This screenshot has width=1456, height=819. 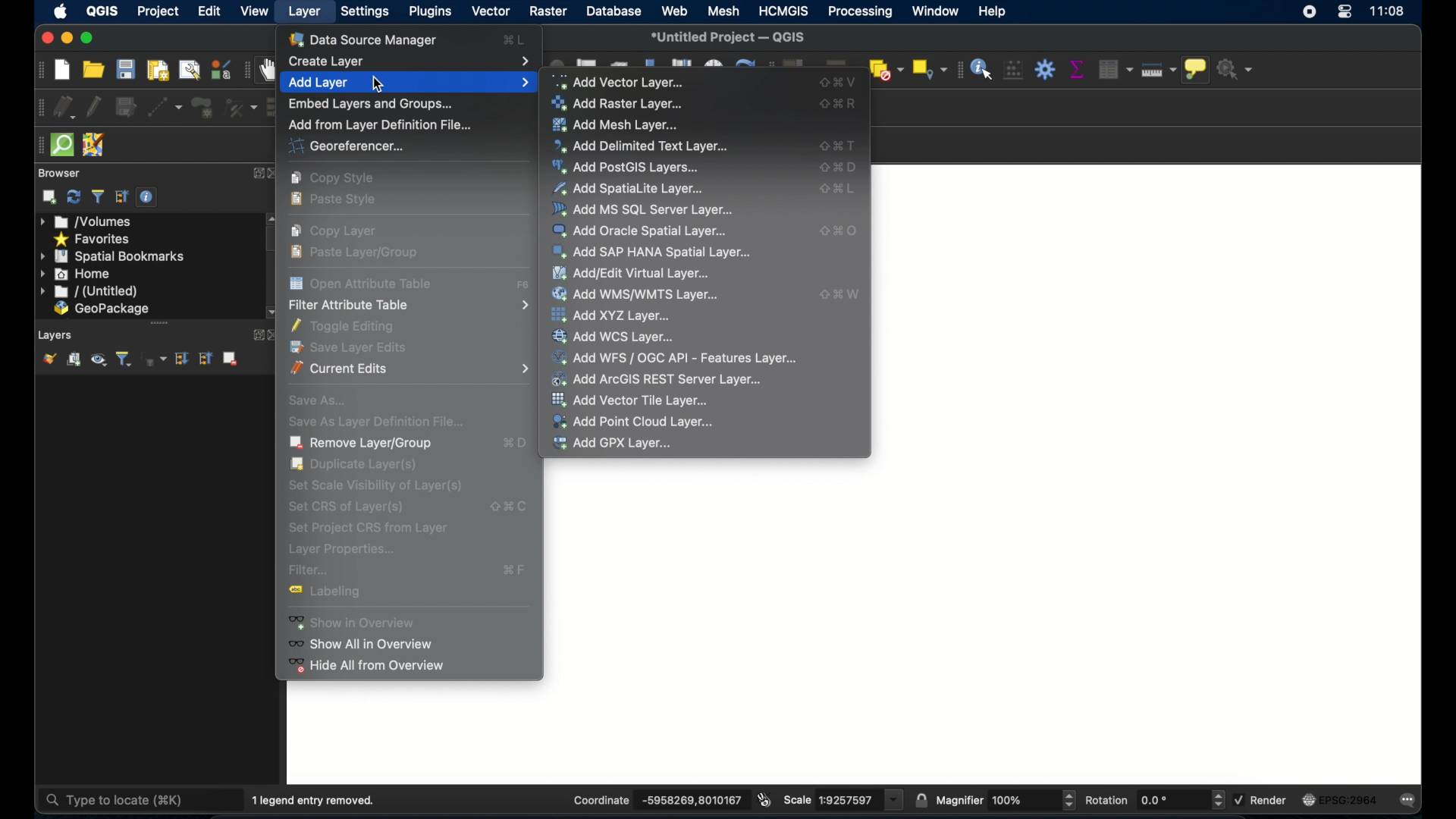 What do you see at coordinates (367, 644) in the screenshot?
I see `show all in overview` at bounding box center [367, 644].